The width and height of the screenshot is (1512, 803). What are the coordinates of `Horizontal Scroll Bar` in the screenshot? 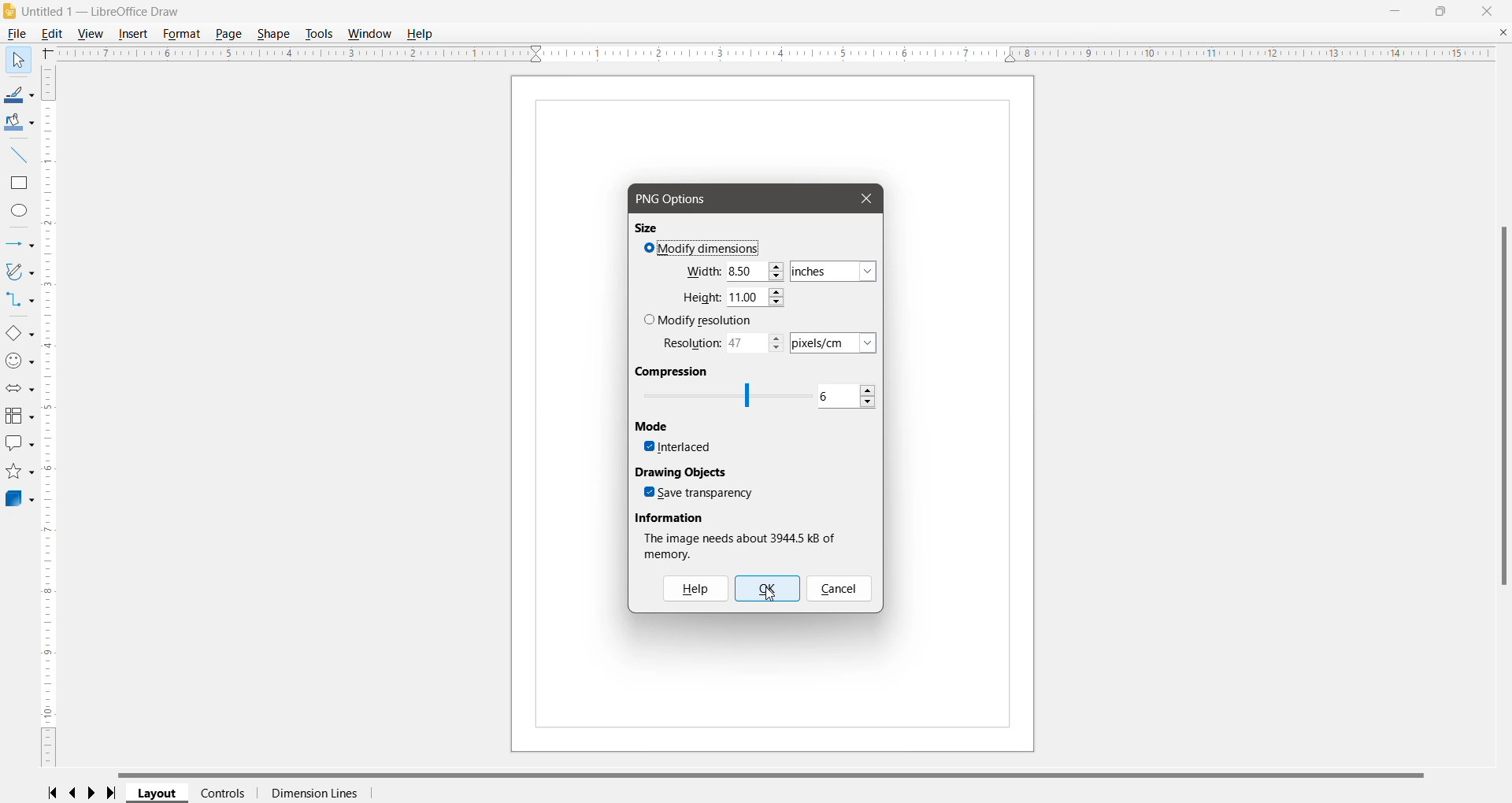 It's located at (780, 774).